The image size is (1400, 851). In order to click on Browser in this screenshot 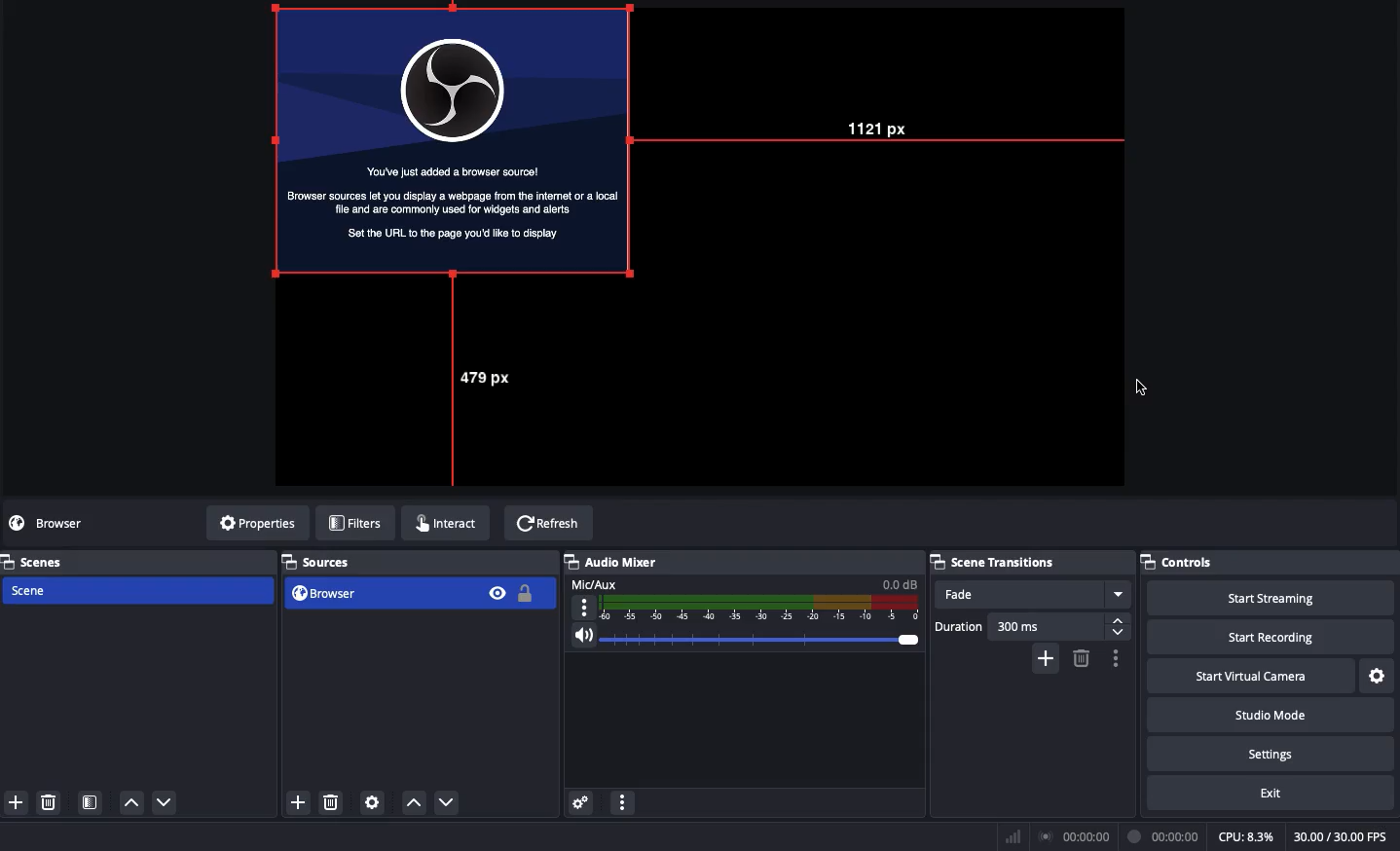, I will do `click(450, 137)`.